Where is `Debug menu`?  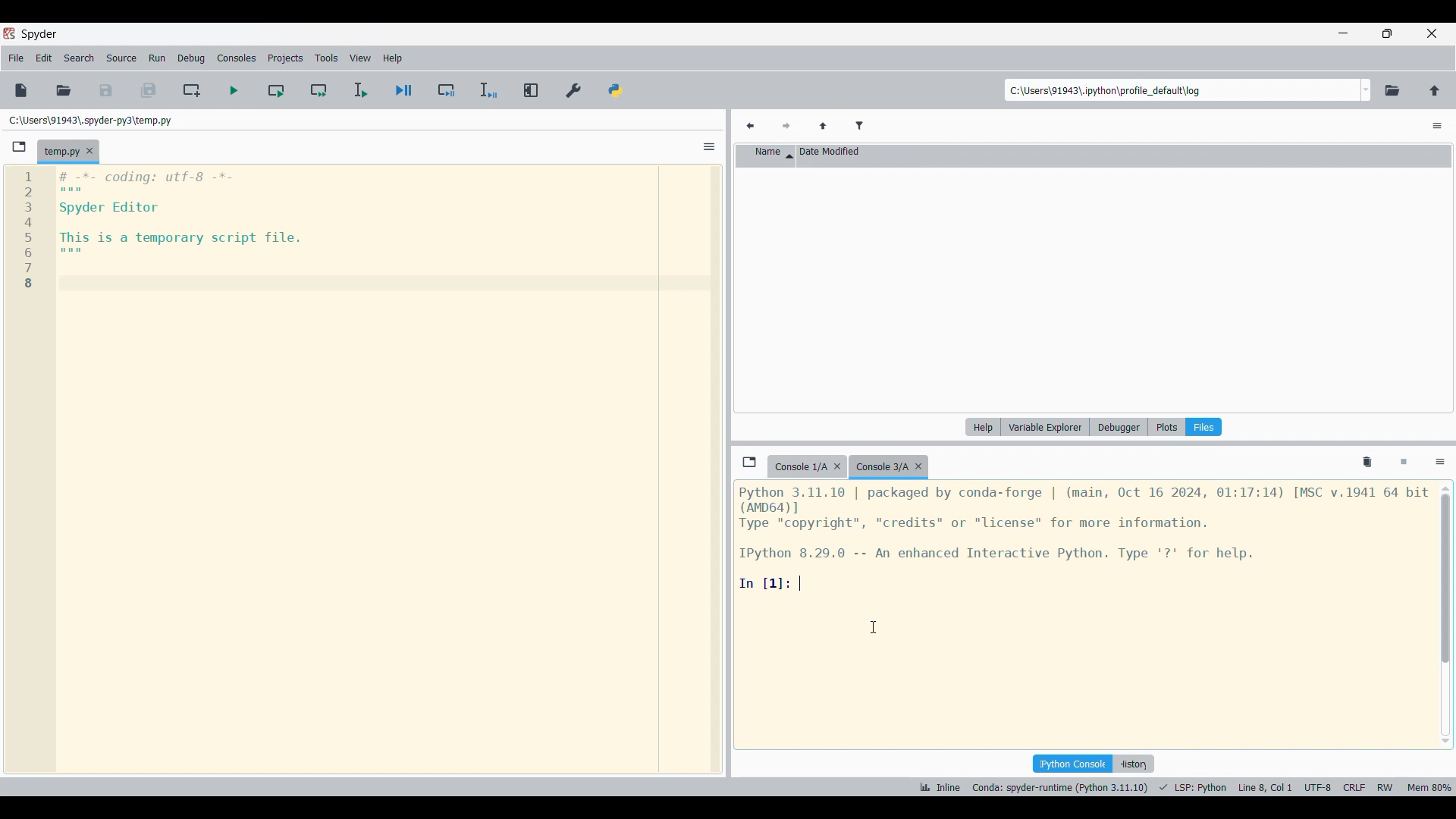
Debug menu is located at coordinates (192, 58).